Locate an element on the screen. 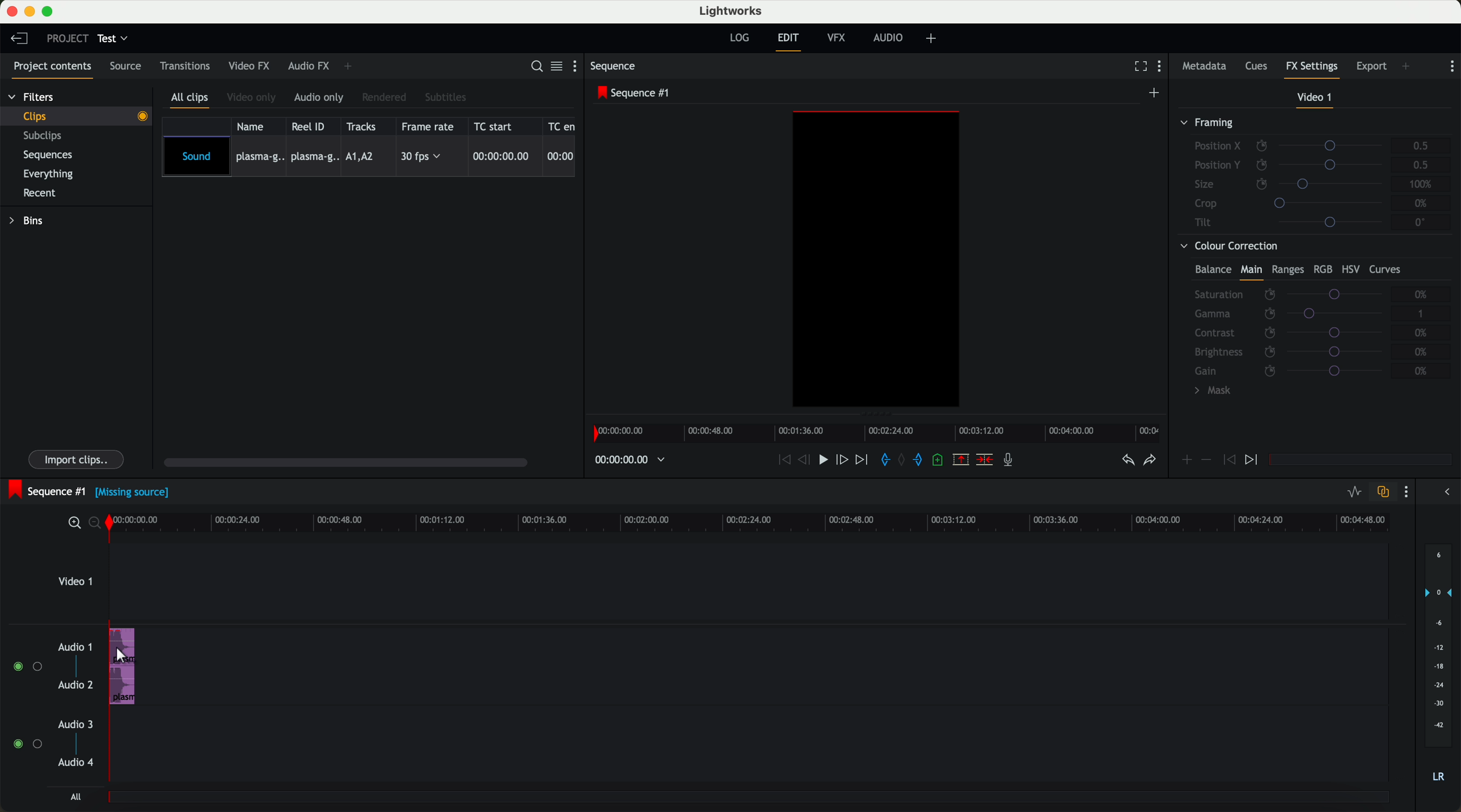  cursor is located at coordinates (125, 656).